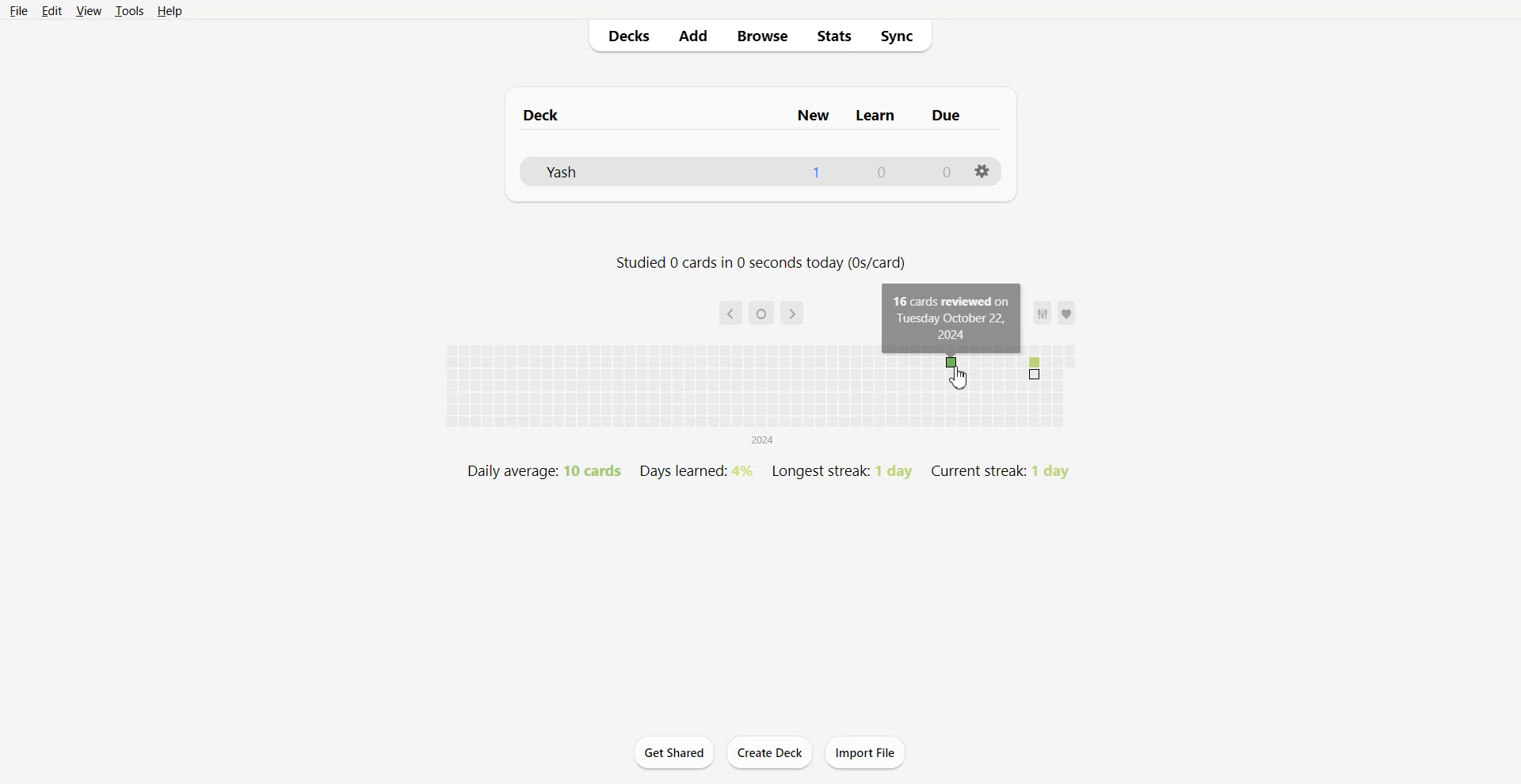  What do you see at coordinates (581, 169) in the screenshot?
I see `yashs` at bounding box center [581, 169].